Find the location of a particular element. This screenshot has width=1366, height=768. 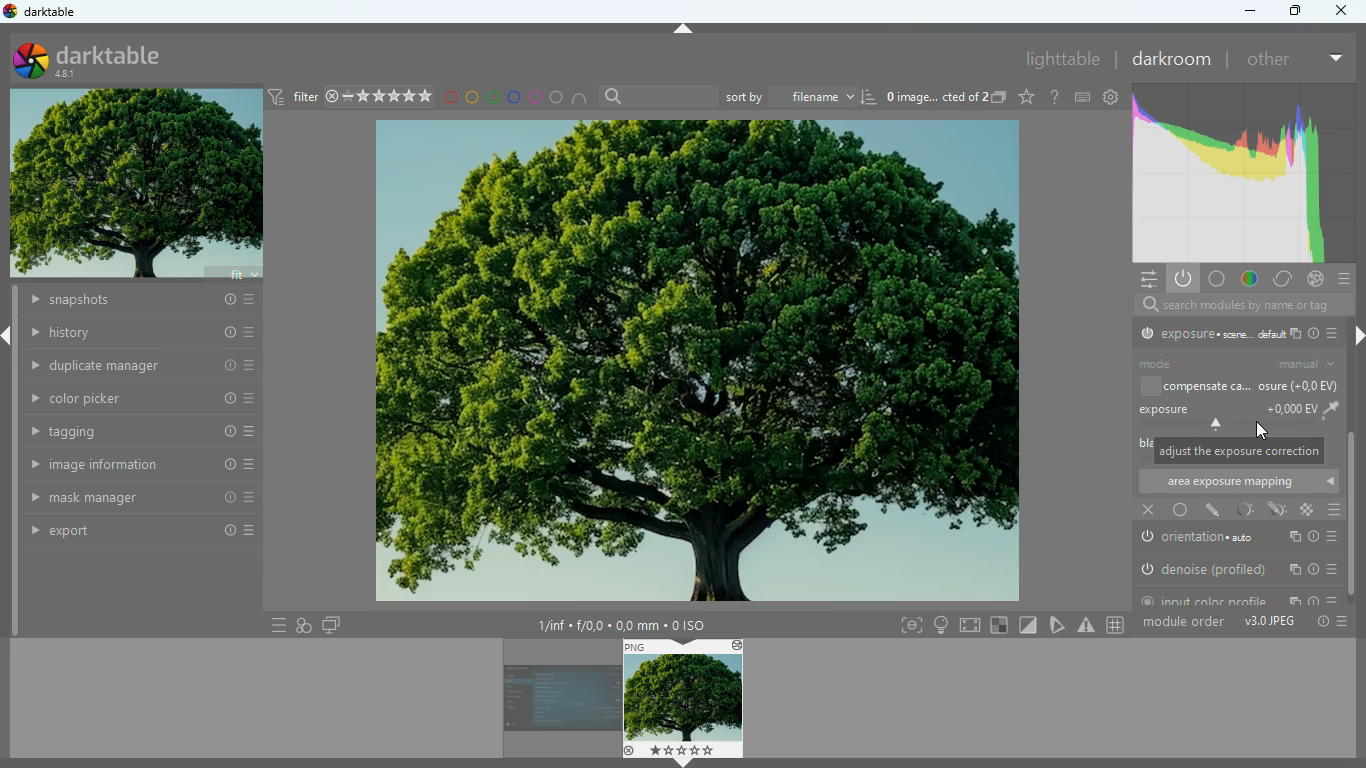

image name is located at coordinates (937, 99).